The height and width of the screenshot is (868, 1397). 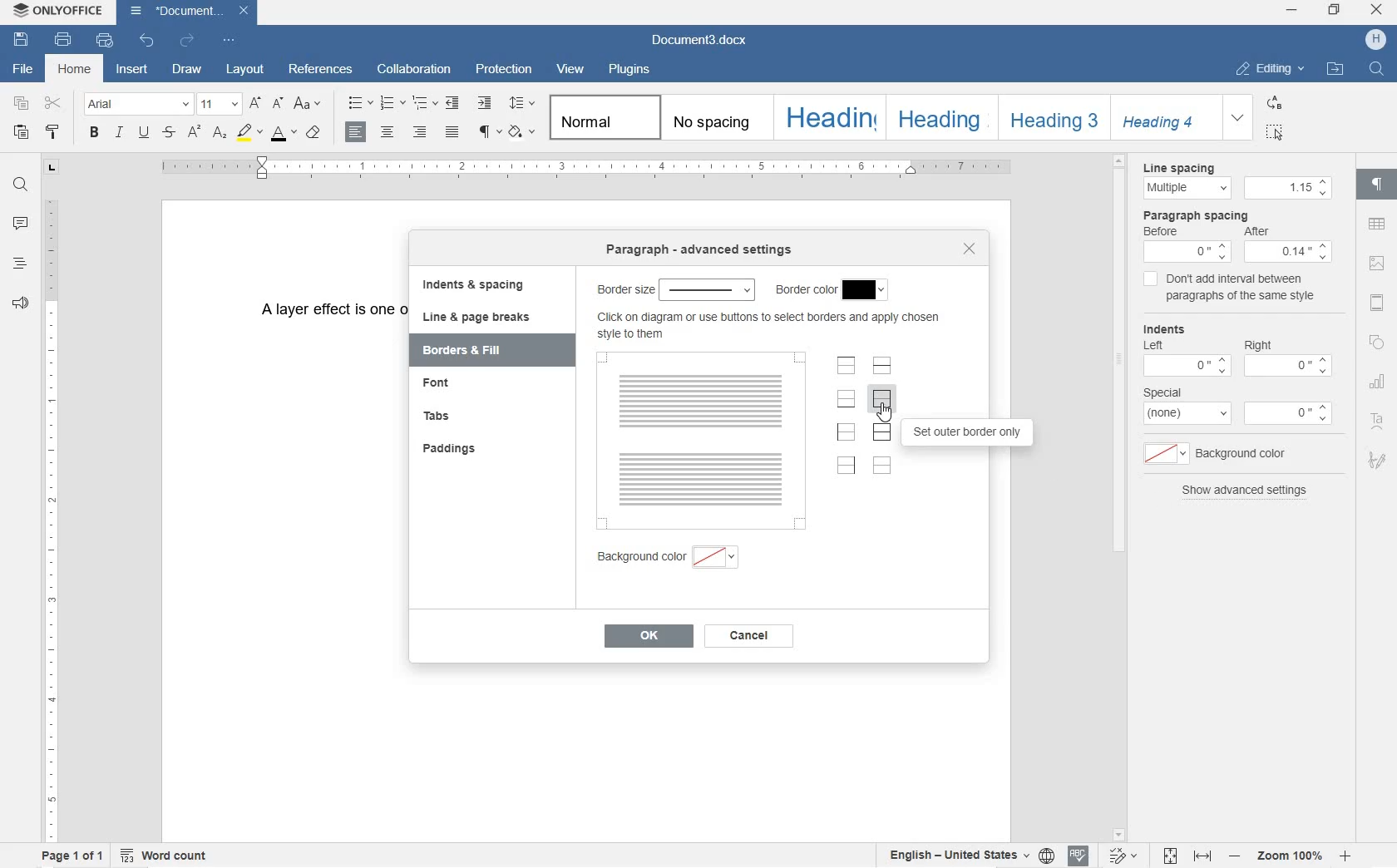 I want to click on PROTECTION, so click(x=506, y=71).